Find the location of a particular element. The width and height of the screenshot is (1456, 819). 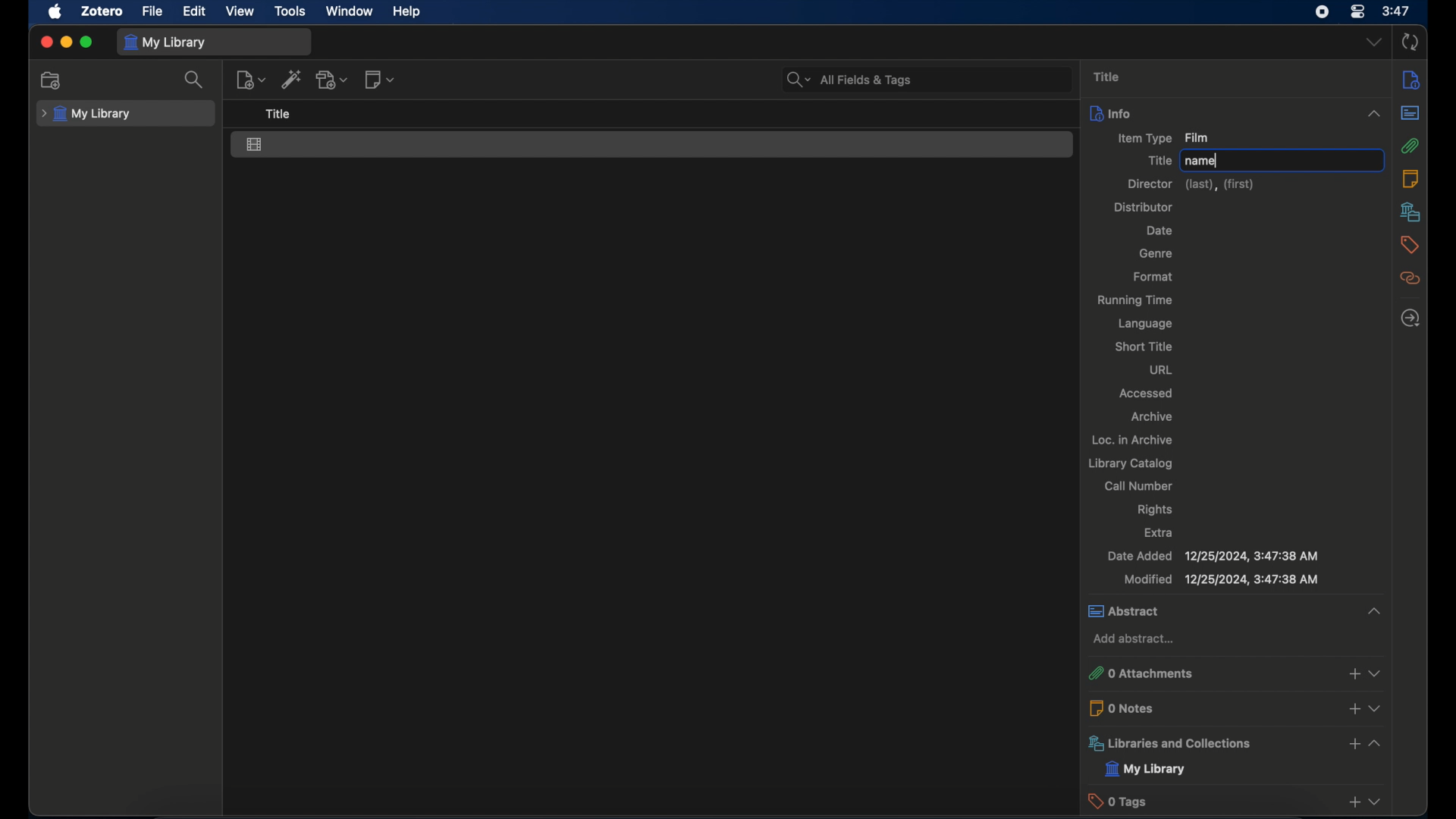

director is located at coordinates (1191, 185).